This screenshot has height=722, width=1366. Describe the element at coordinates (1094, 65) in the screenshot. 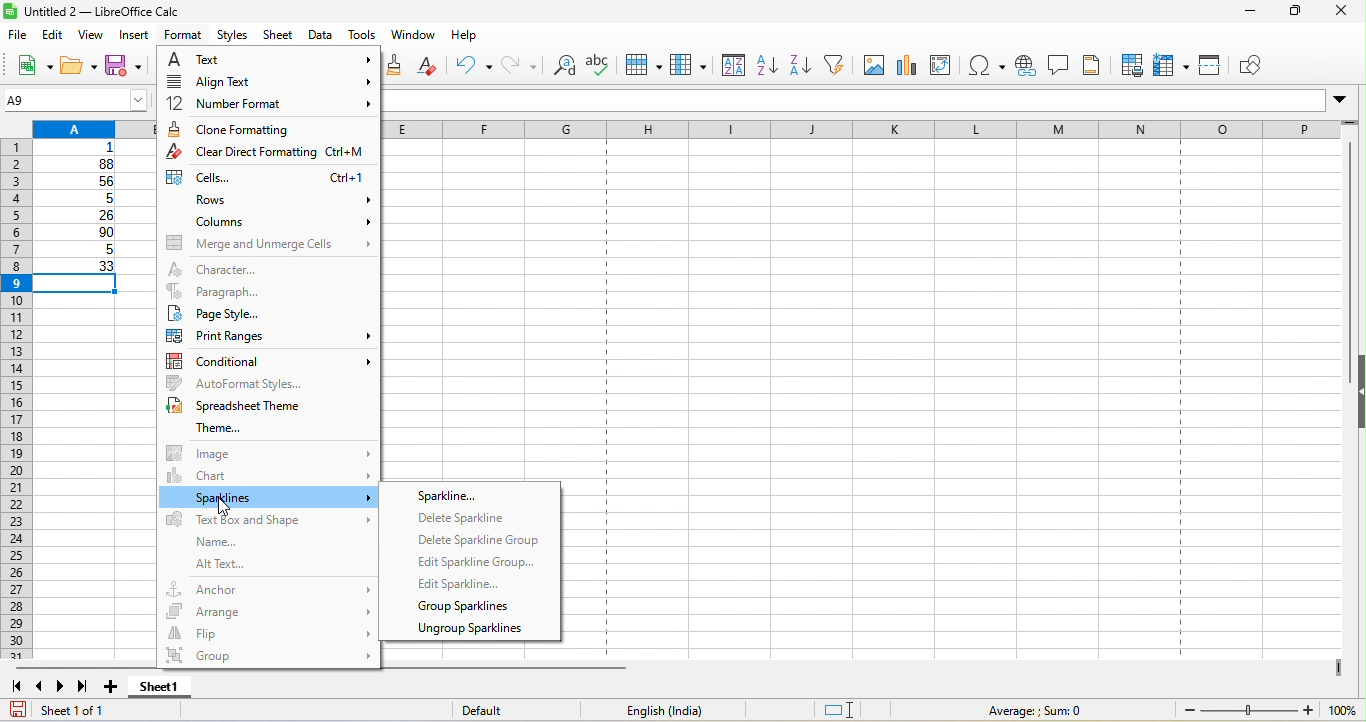

I see `headers and footers` at that location.